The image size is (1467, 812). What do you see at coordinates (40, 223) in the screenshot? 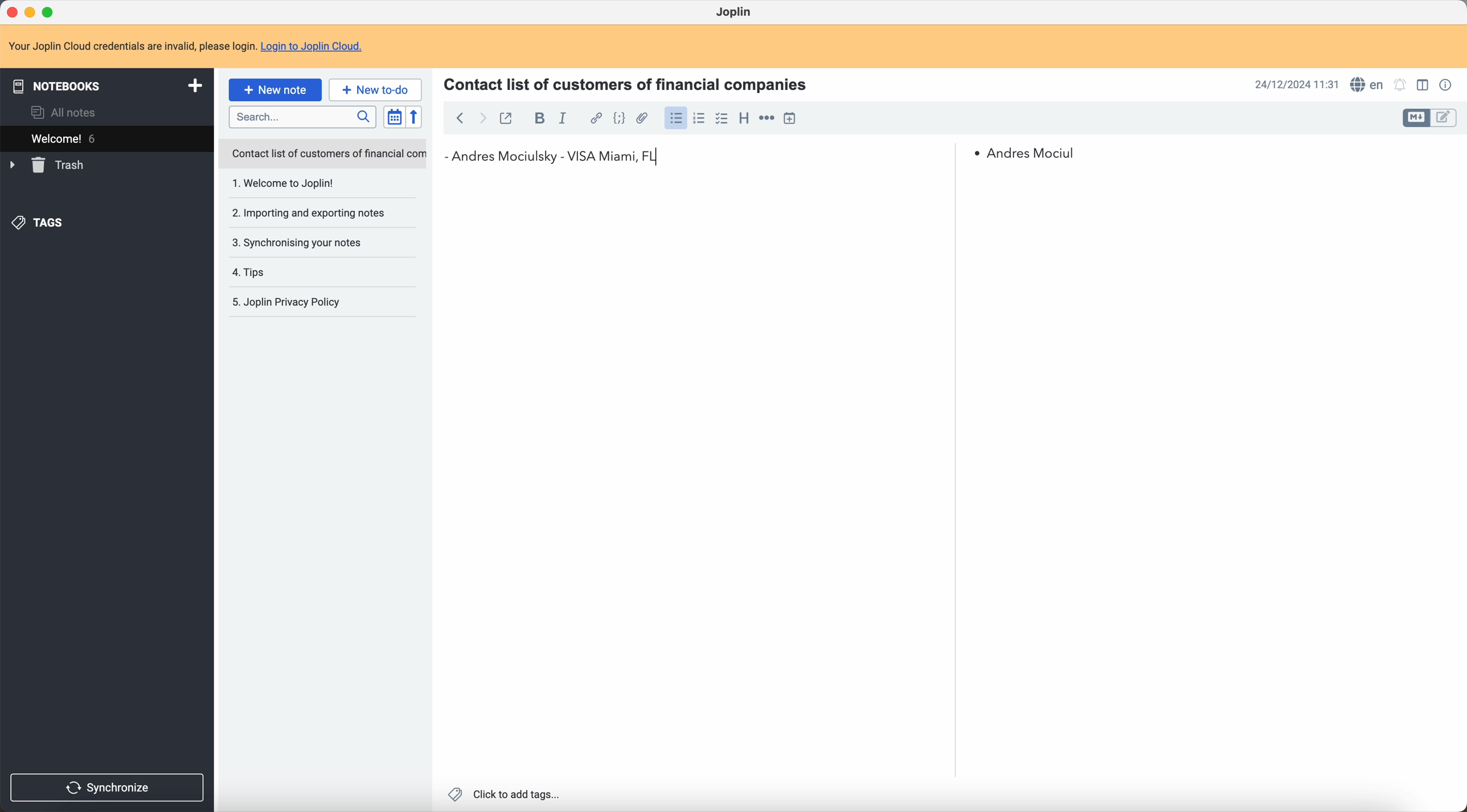
I see `tags` at bounding box center [40, 223].